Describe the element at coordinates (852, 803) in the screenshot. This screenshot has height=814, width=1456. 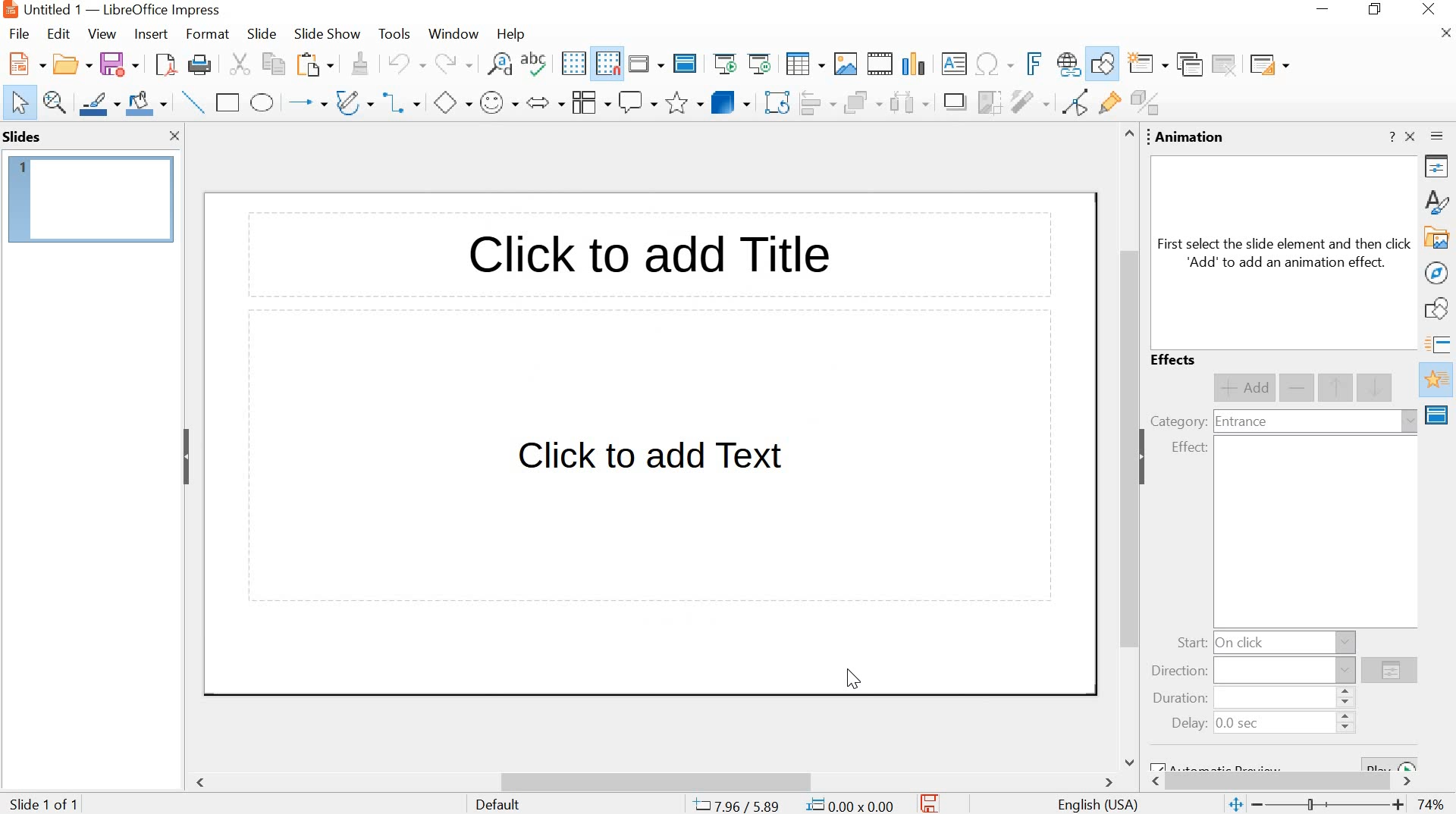
I see `0.00x0.00` at that location.